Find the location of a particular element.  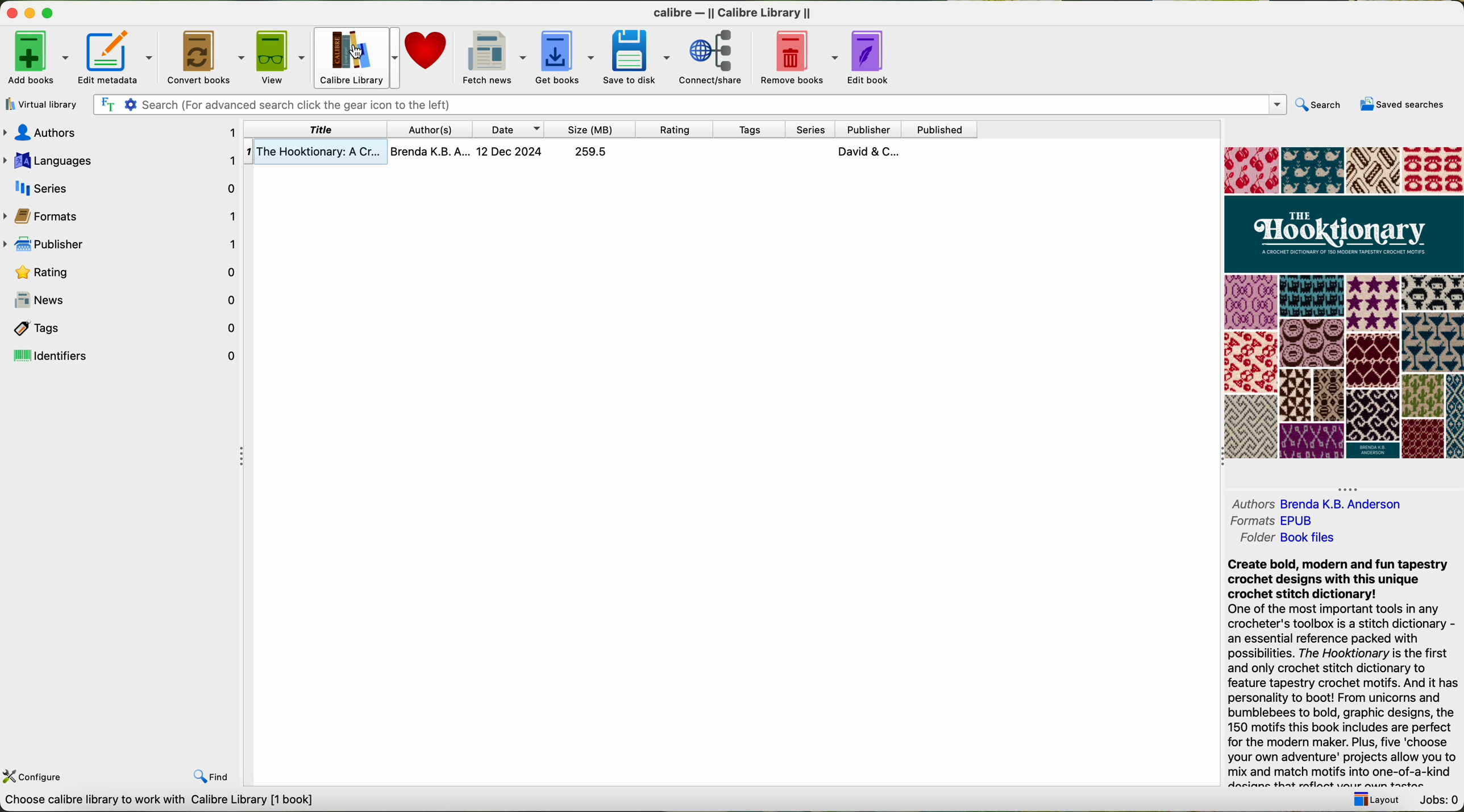

edit book is located at coordinates (868, 56).